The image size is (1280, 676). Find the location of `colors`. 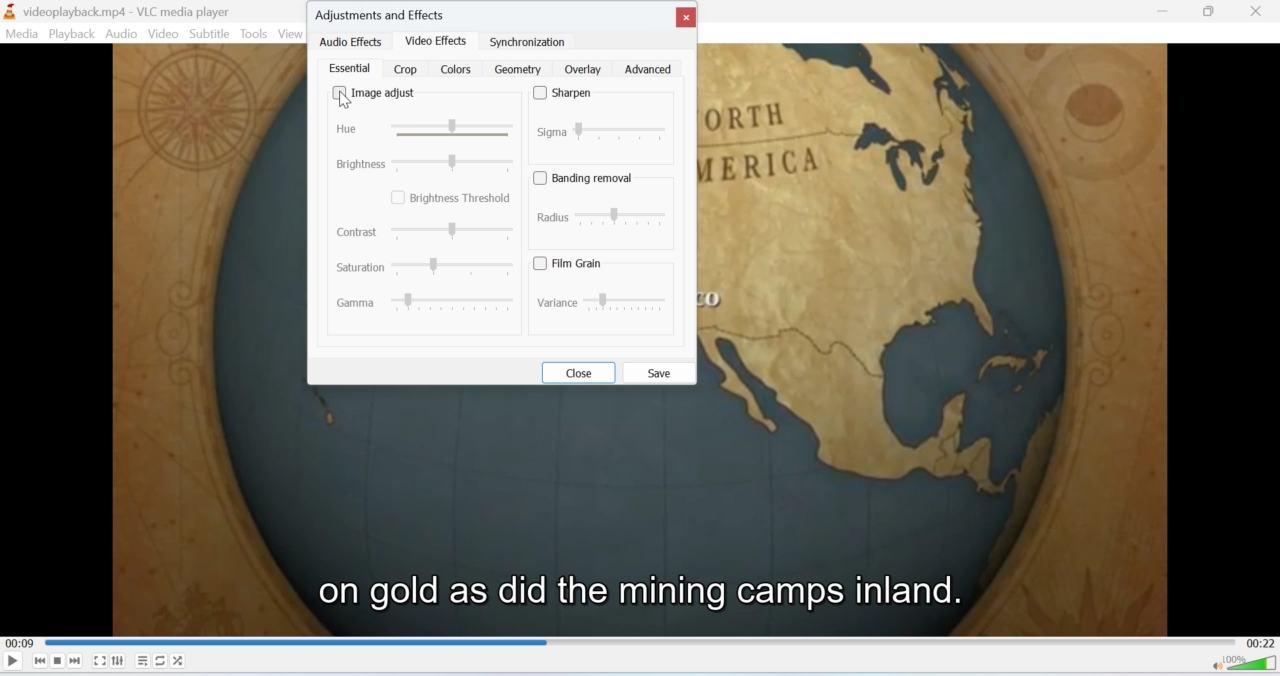

colors is located at coordinates (458, 69).